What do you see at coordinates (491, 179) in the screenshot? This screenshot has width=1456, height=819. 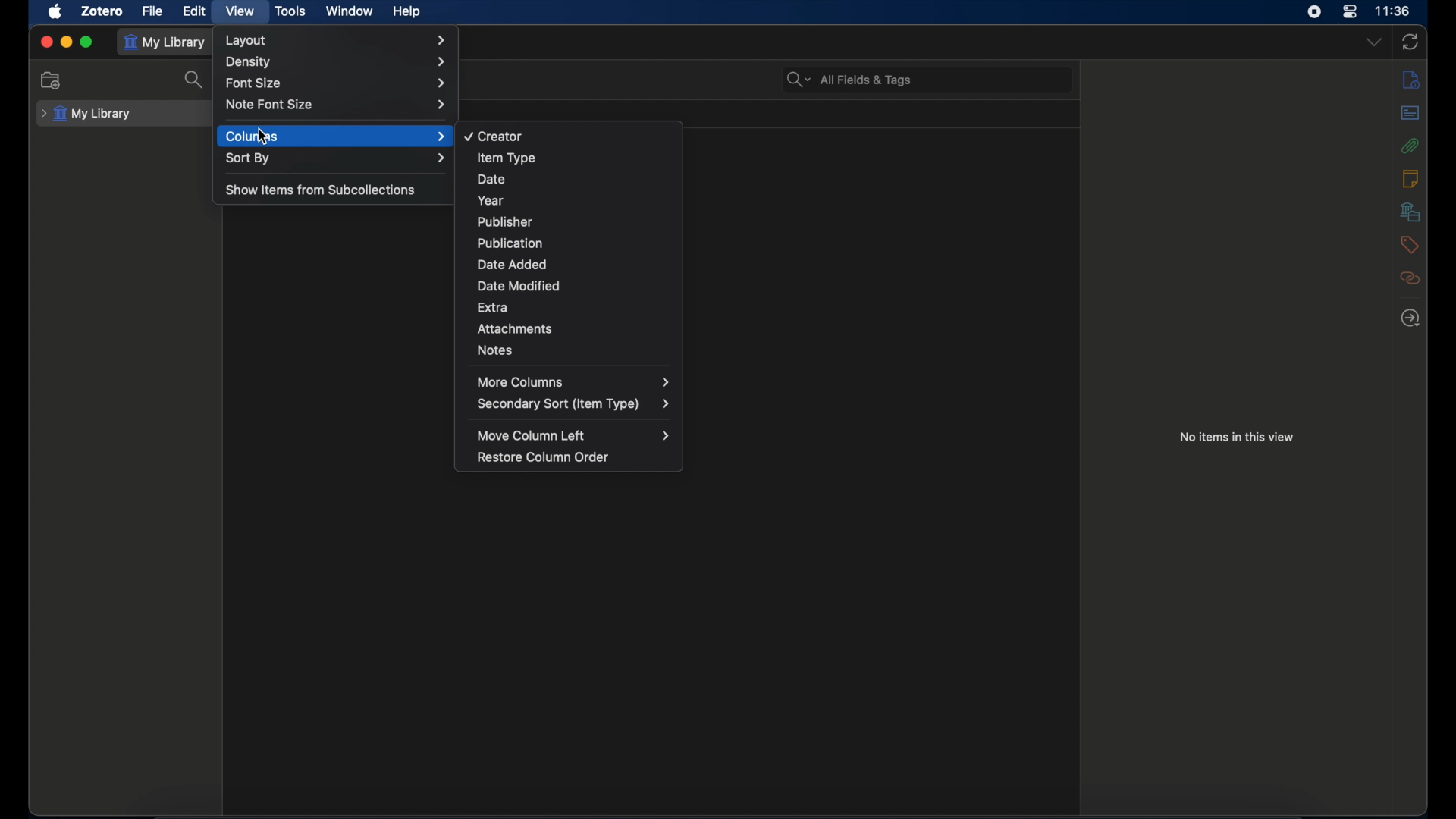 I see `date` at bounding box center [491, 179].